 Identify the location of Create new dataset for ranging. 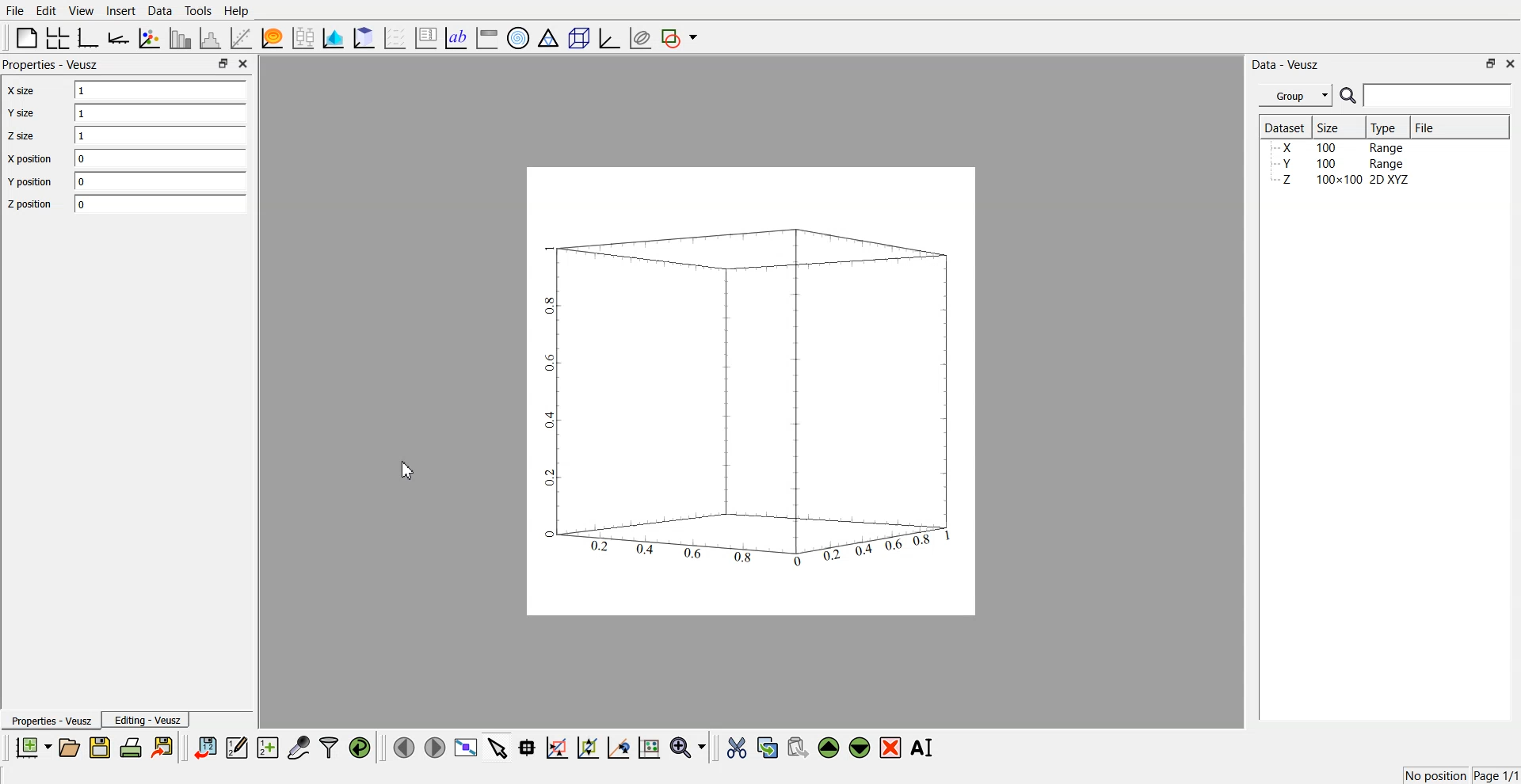
(267, 748).